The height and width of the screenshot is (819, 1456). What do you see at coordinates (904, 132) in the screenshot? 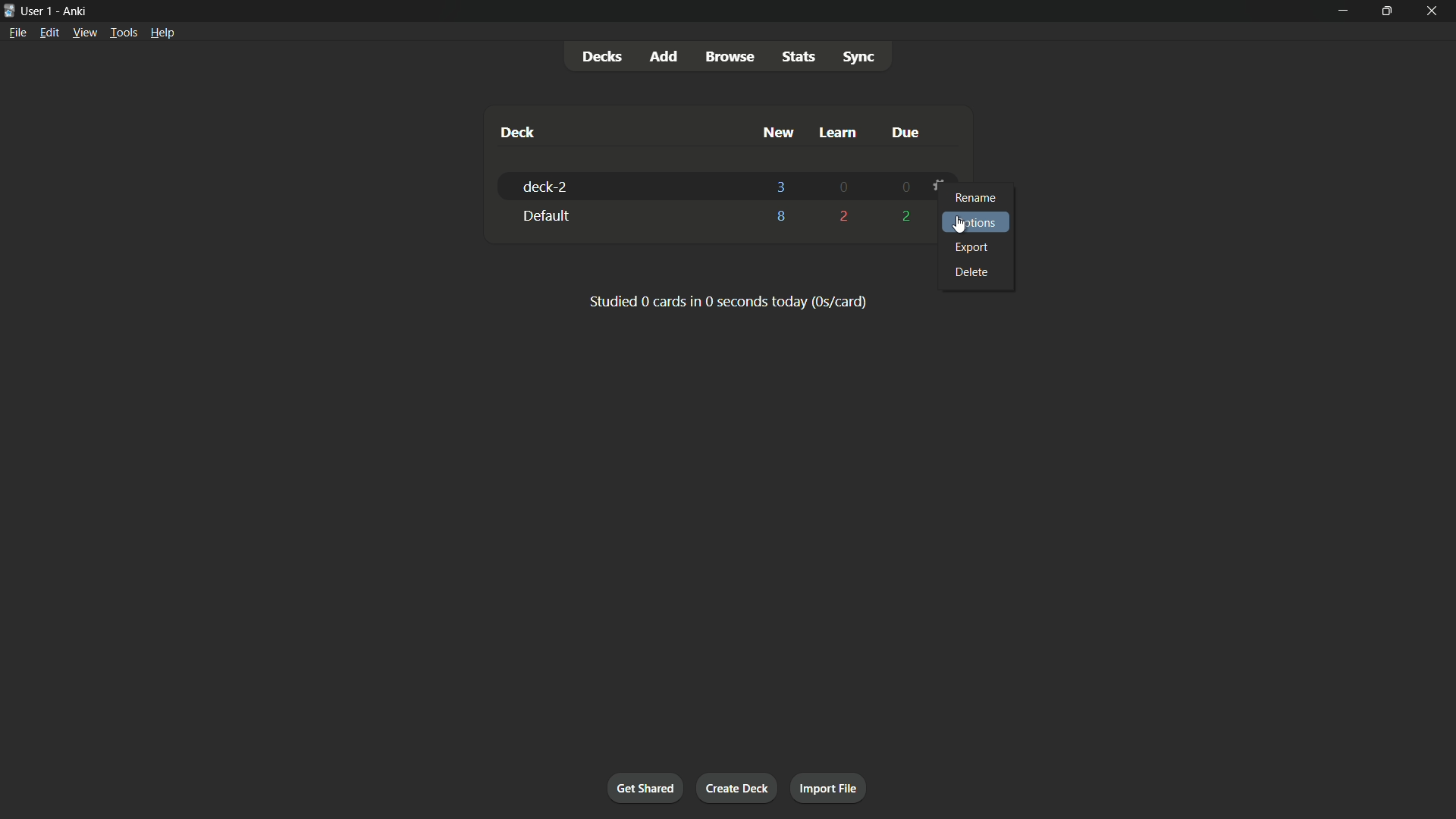
I see `due` at bounding box center [904, 132].